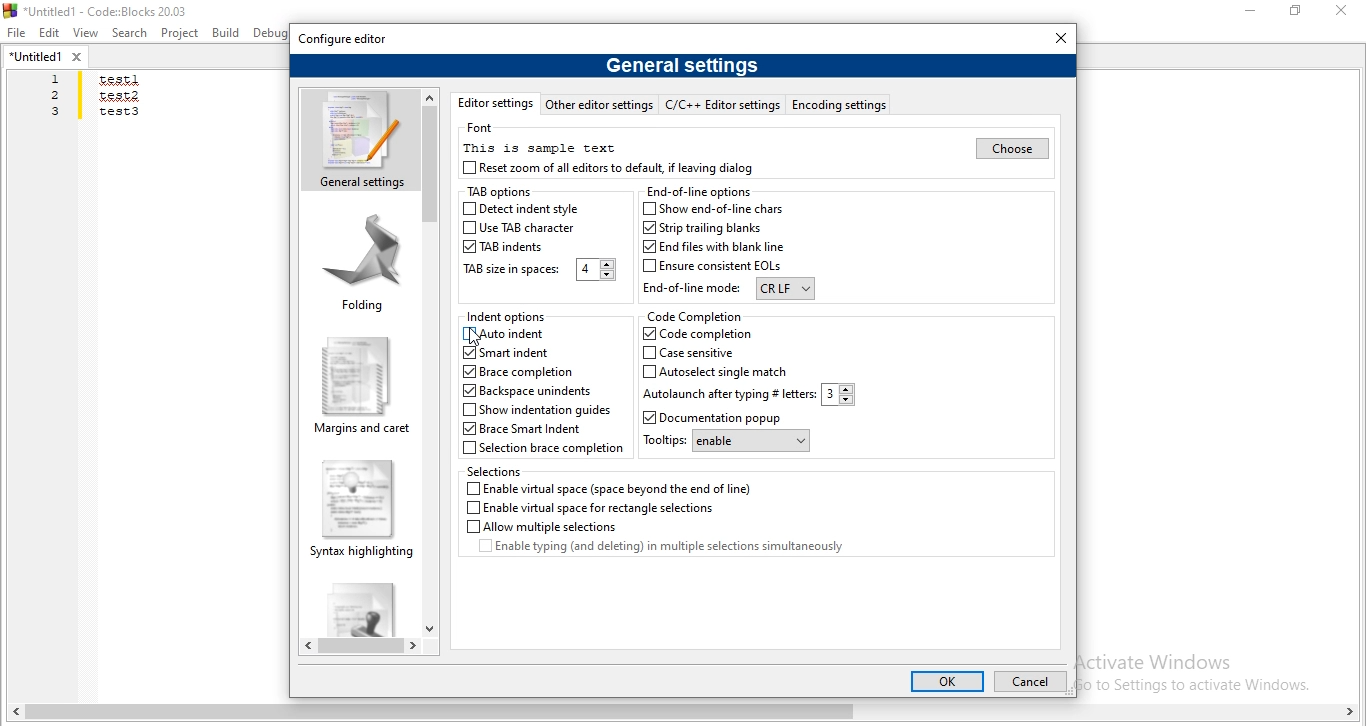 This screenshot has width=1366, height=726. Describe the element at coordinates (611, 168) in the screenshot. I see `Reset zoom of all editors to default, if leaving dialog` at that location.